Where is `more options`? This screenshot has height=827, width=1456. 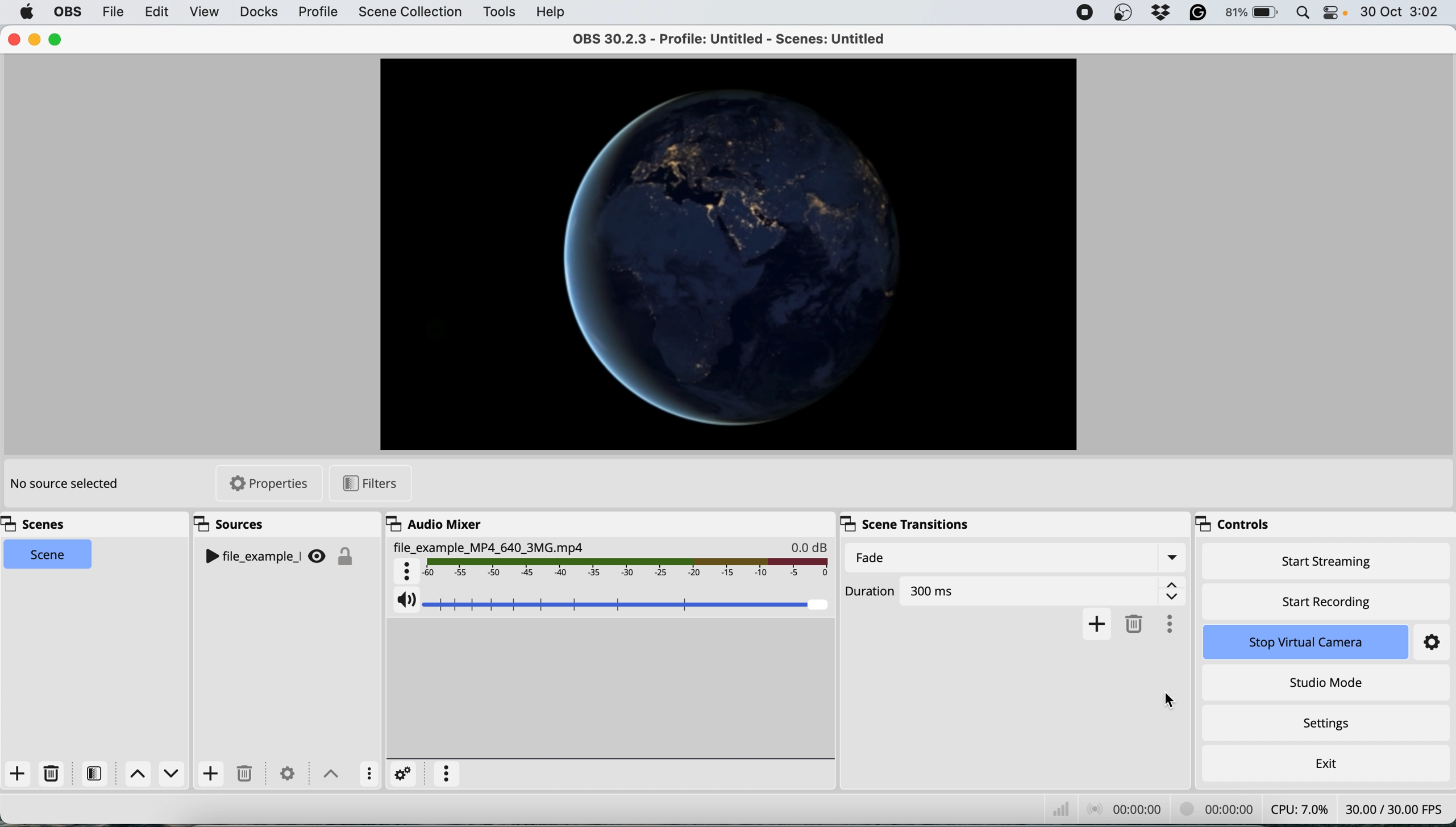
more options is located at coordinates (1169, 625).